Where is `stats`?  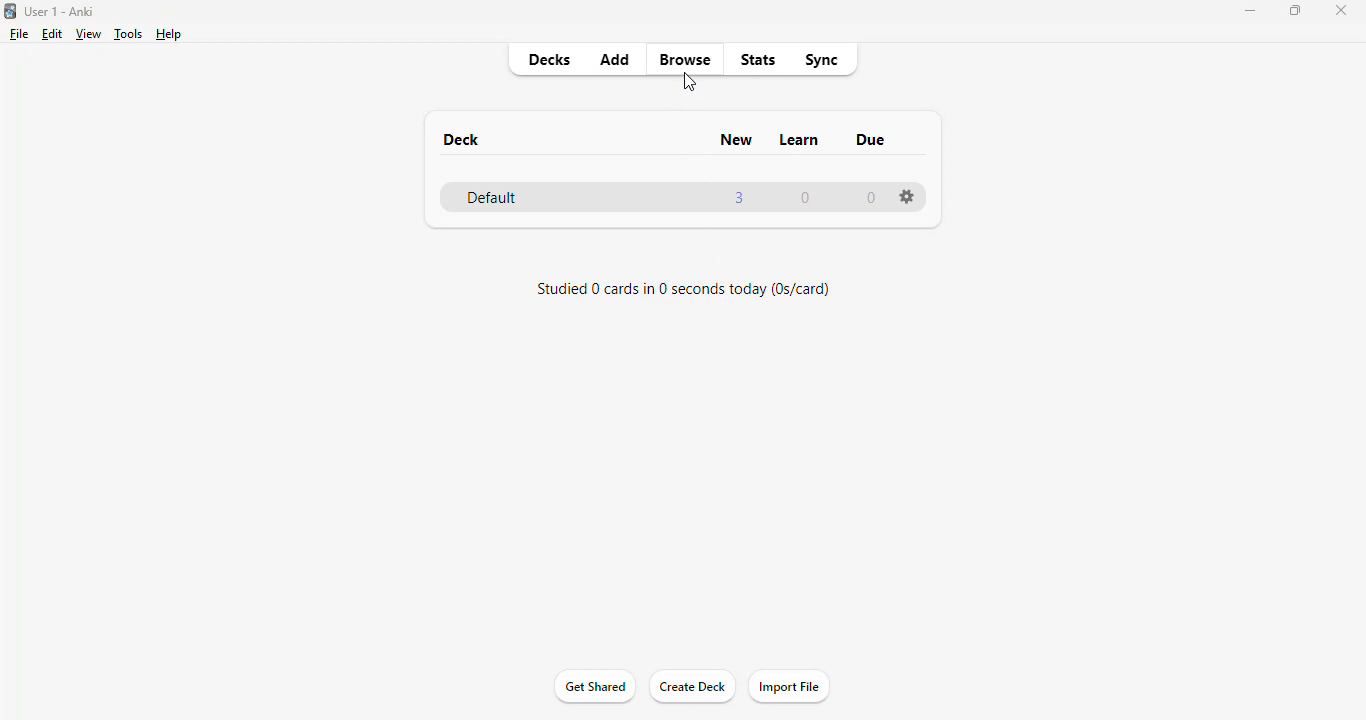
stats is located at coordinates (759, 60).